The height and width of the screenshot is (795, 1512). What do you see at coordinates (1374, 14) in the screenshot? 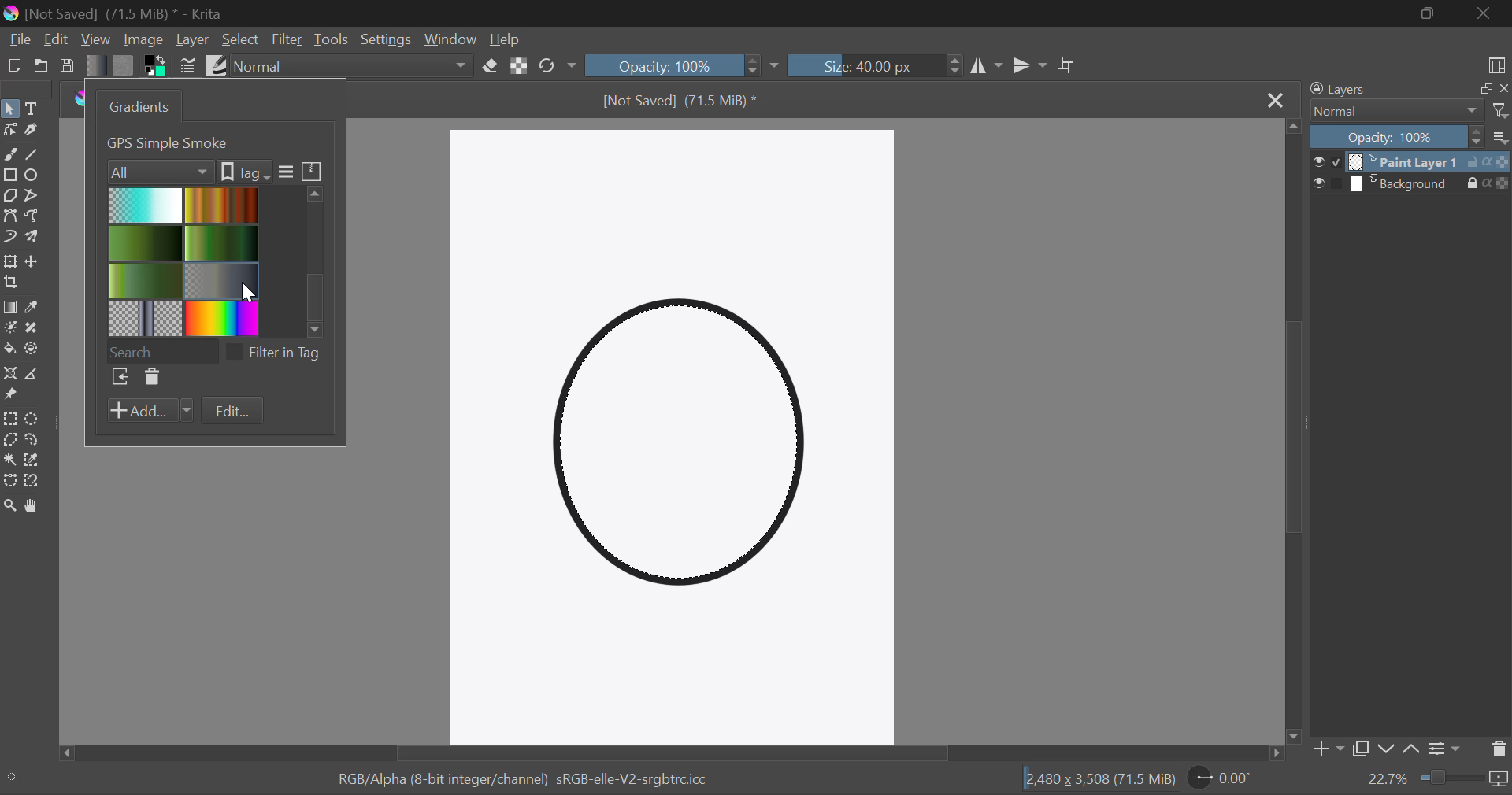
I see `Restore Down` at bounding box center [1374, 14].